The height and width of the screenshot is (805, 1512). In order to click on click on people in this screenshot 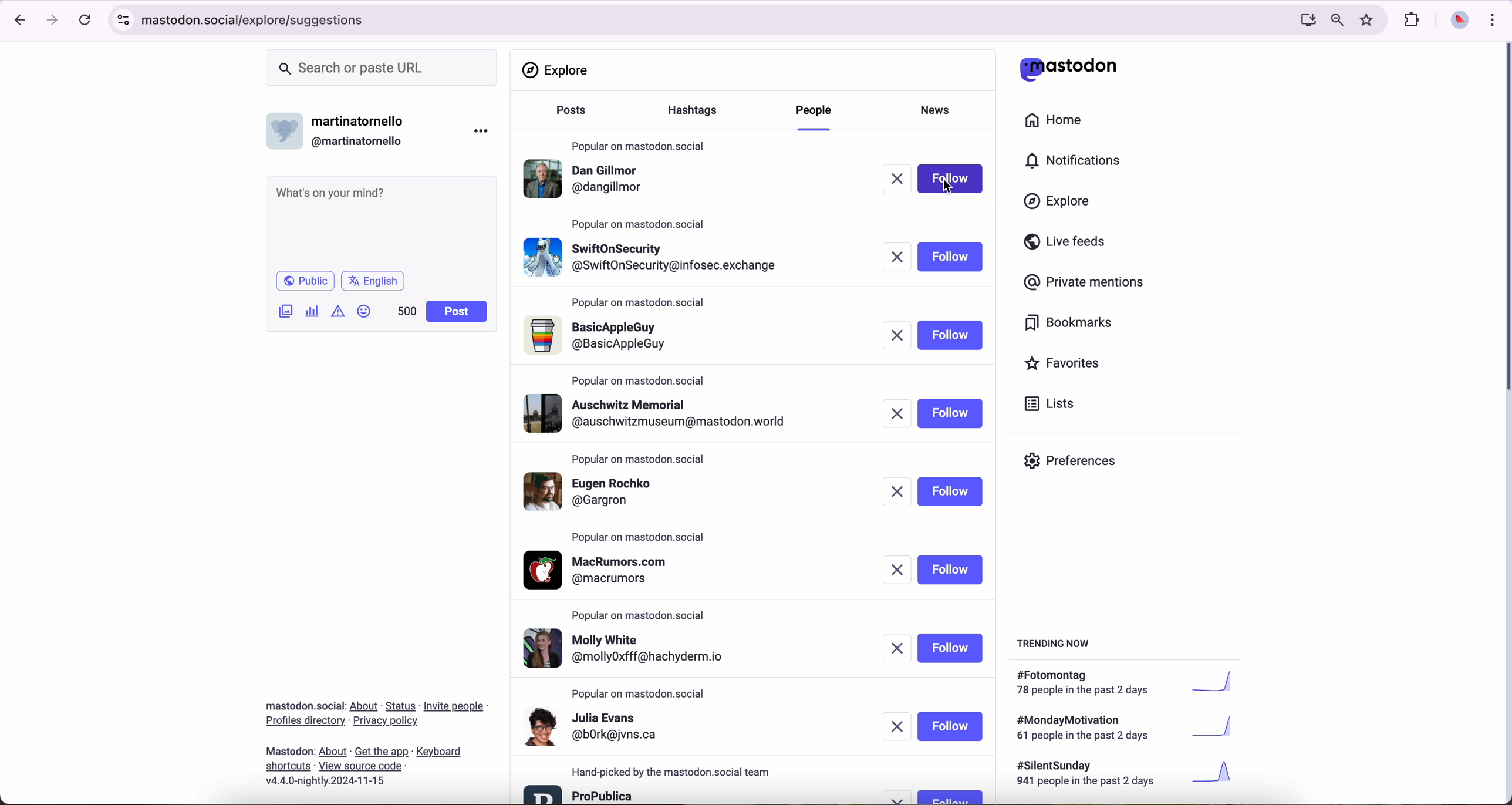, I will do `click(816, 116)`.